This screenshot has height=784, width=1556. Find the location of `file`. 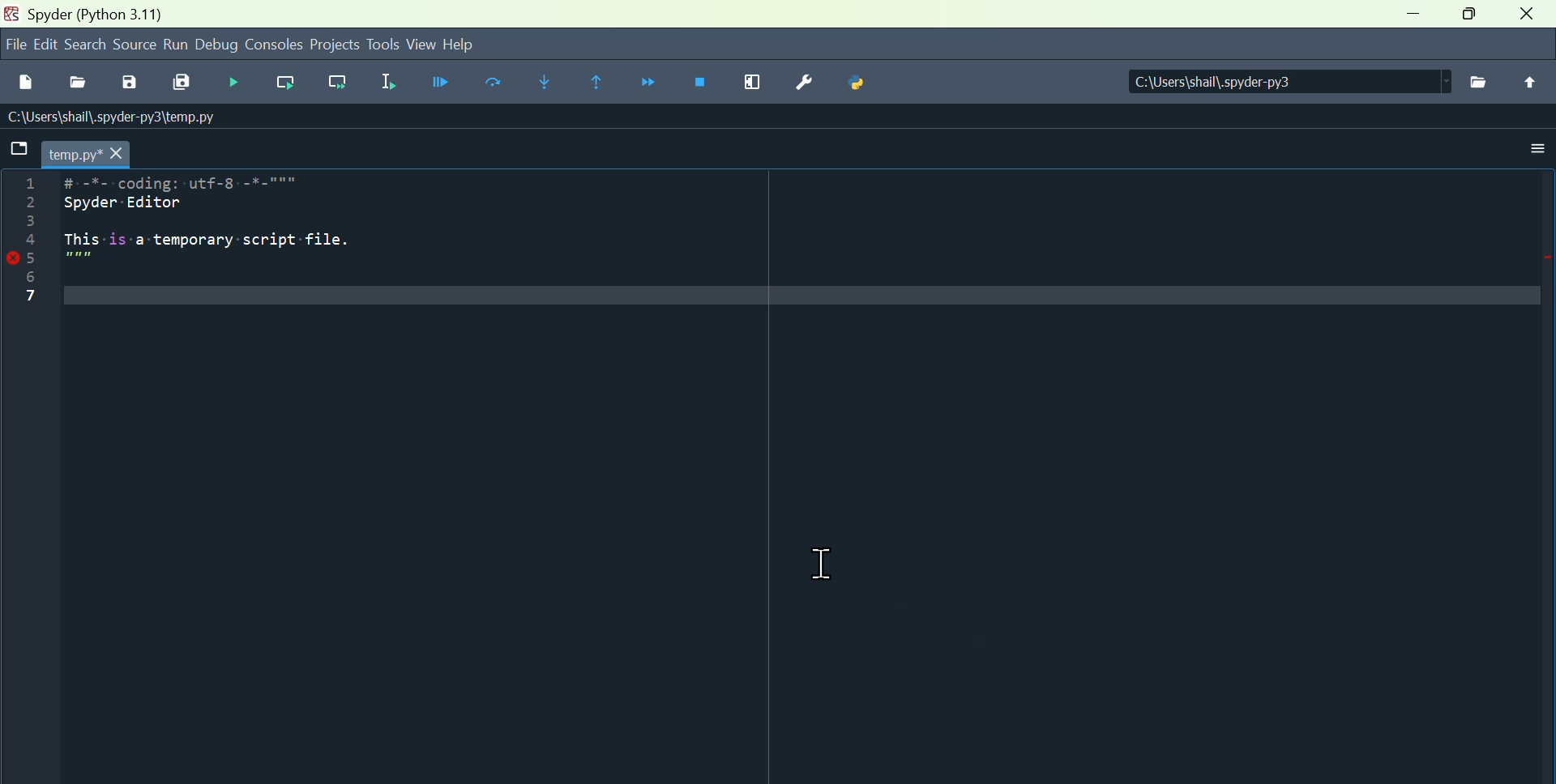

file is located at coordinates (19, 156).